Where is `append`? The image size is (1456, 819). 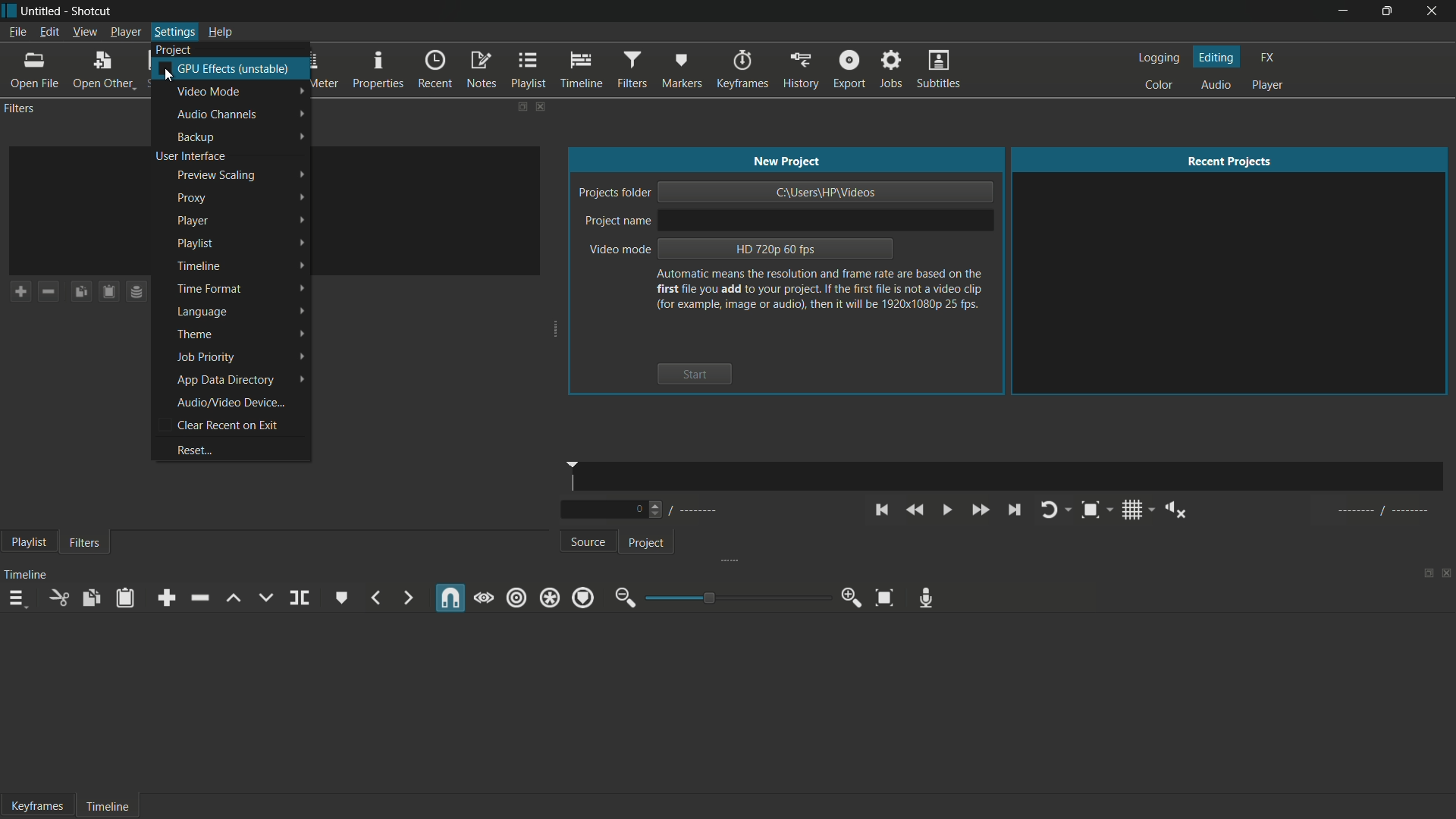
append is located at coordinates (166, 599).